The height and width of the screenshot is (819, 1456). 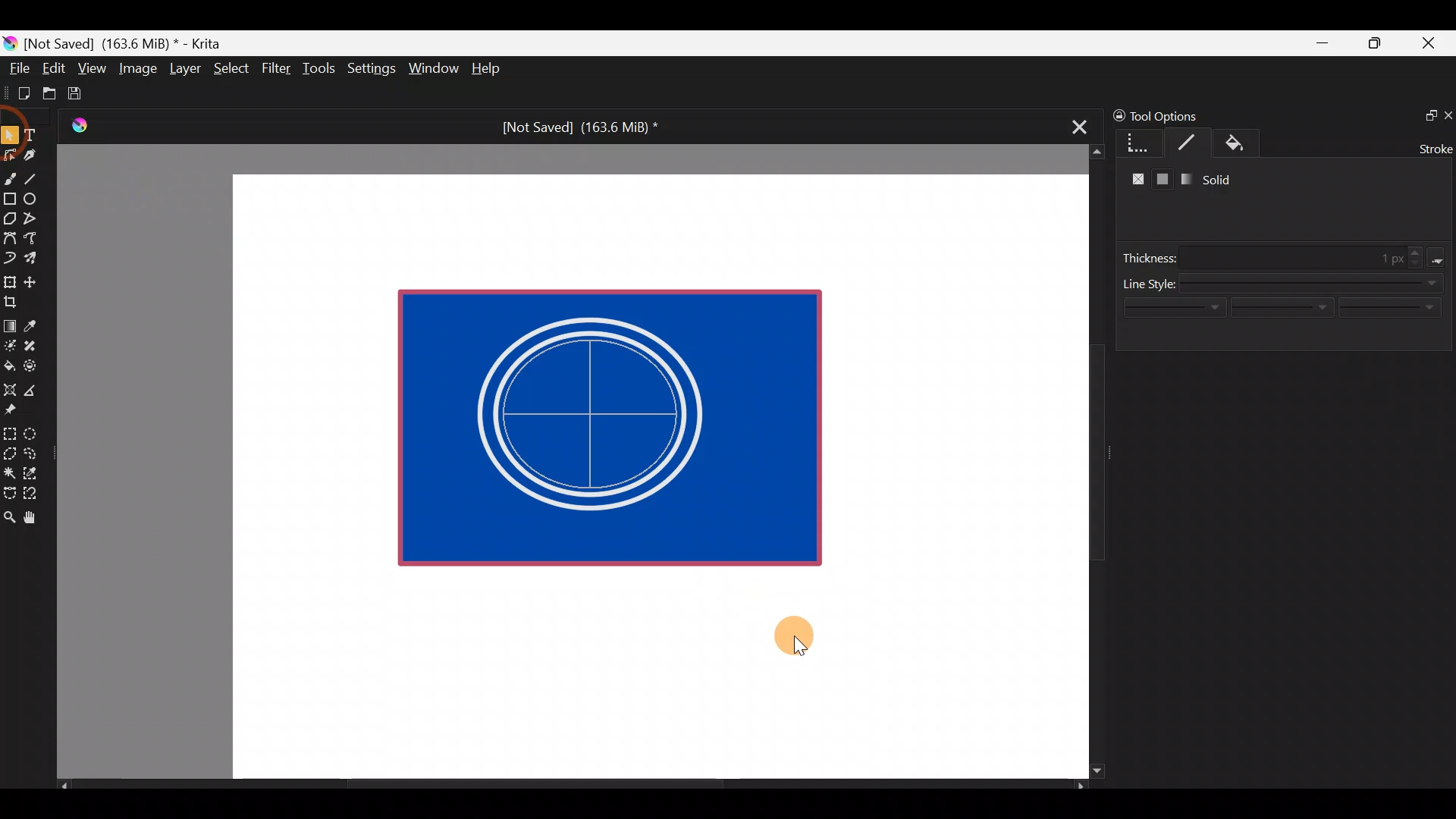 I want to click on Image, so click(x=137, y=68).